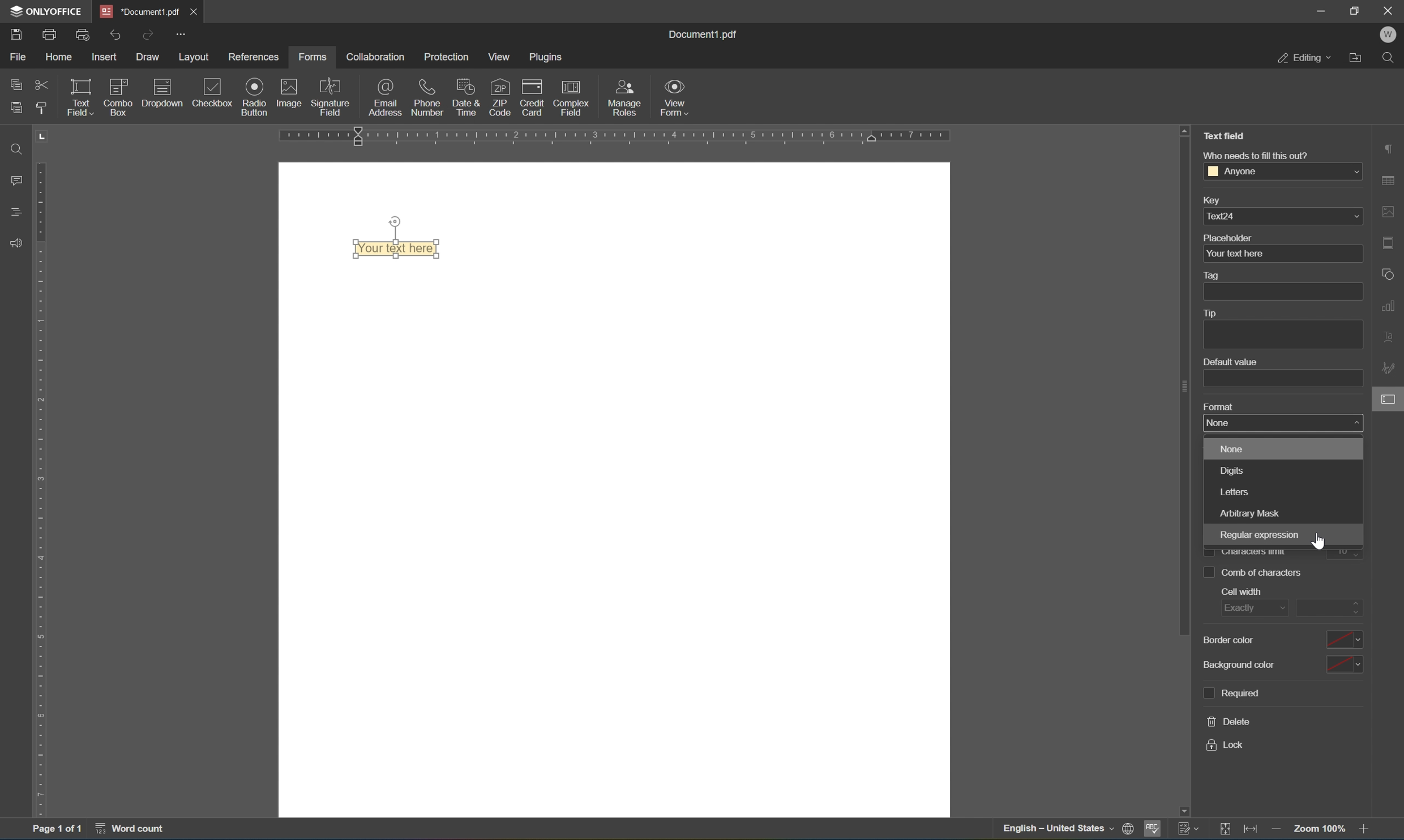  What do you see at coordinates (1253, 571) in the screenshot?
I see `comb of characters` at bounding box center [1253, 571].